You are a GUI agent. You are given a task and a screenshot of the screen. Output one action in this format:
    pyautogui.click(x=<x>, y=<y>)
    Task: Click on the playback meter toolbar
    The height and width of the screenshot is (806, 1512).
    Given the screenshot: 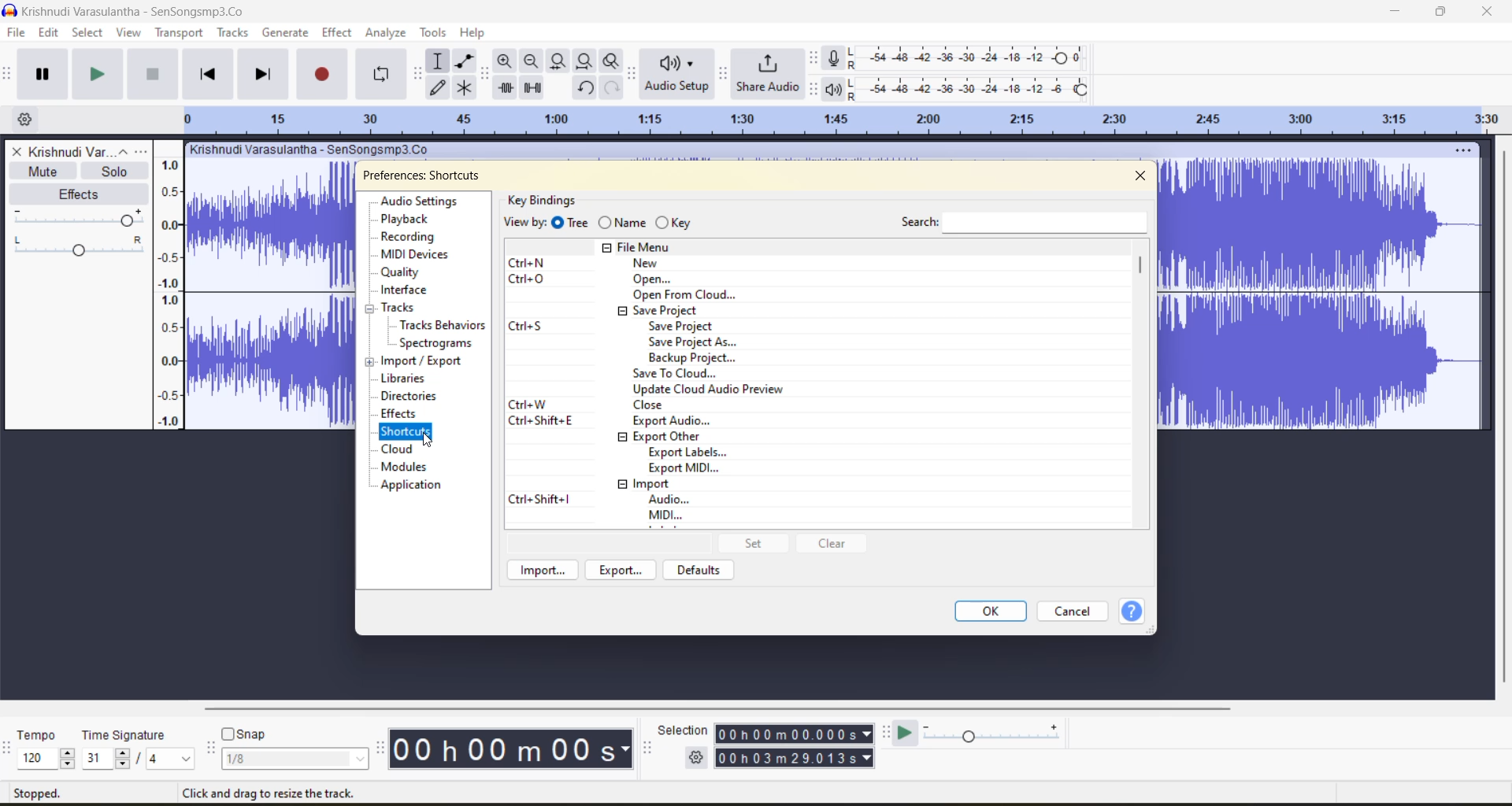 What is the action you would take?
    pyautogui.click(x=815, y=89)
    